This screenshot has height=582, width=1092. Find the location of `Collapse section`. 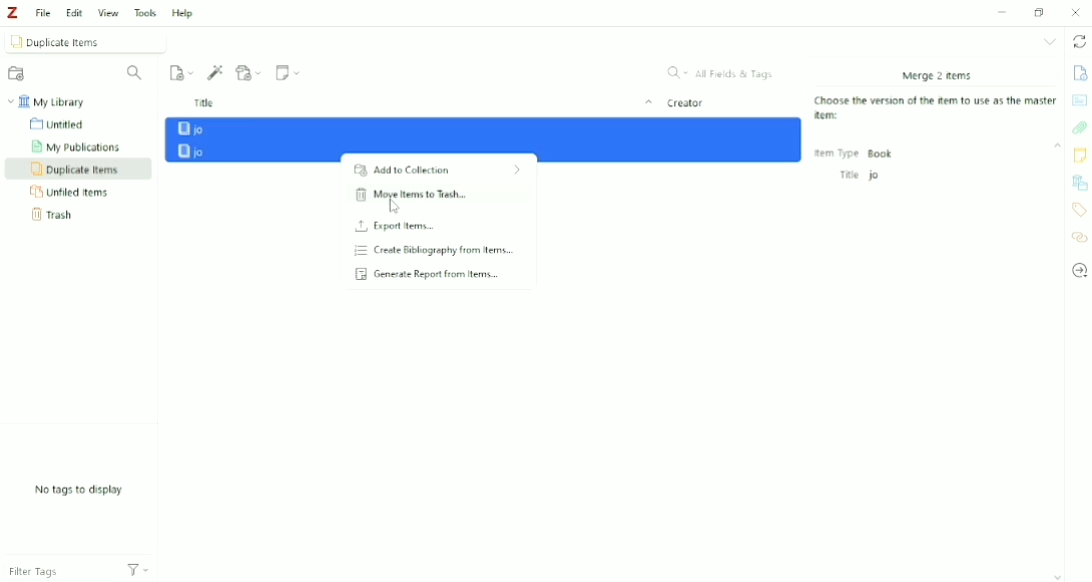

Collapse section is located at coordinates (1057, 146).